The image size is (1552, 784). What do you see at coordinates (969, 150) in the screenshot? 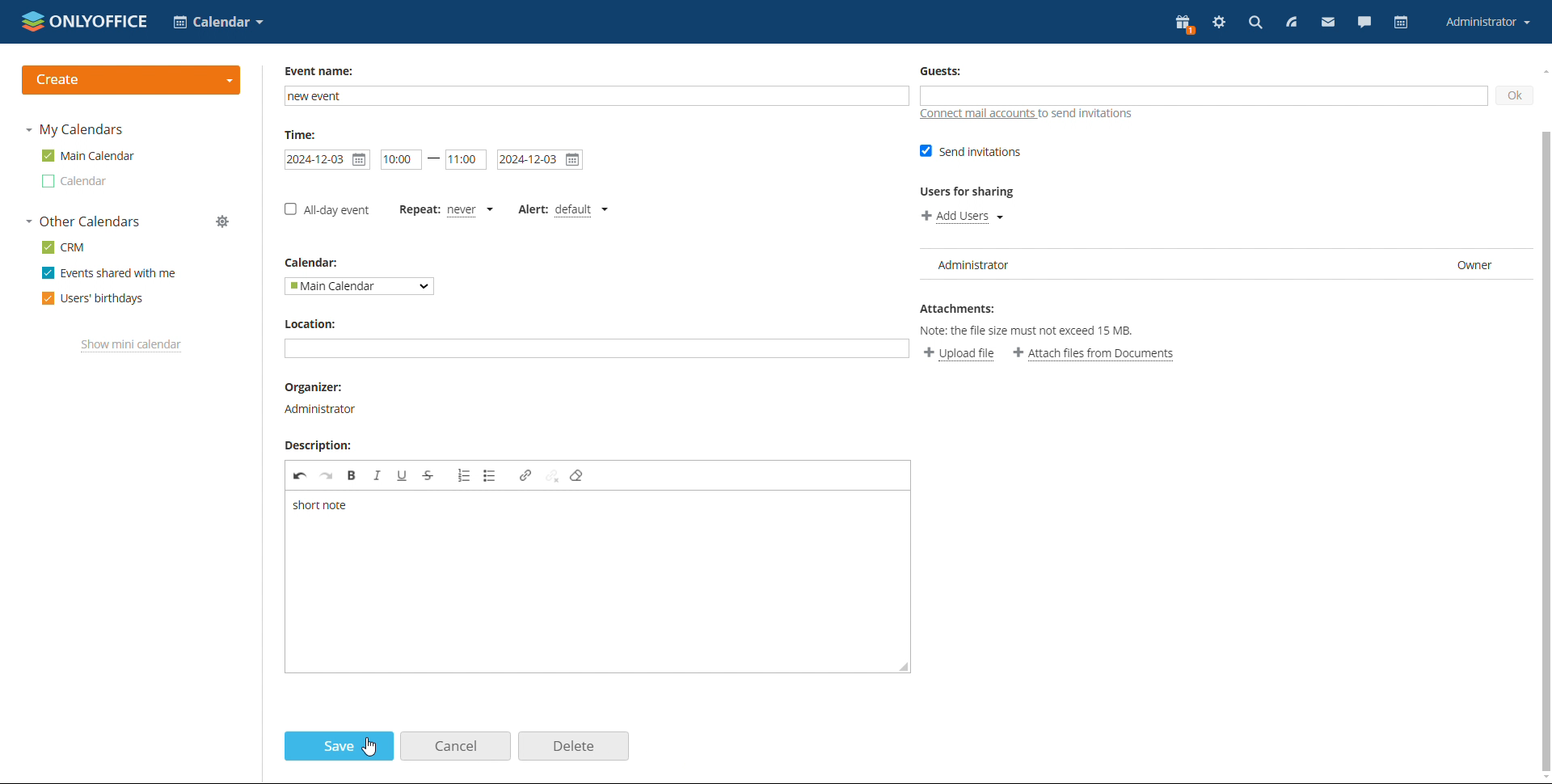
I see `send invitations` at bounding box center [969, 150].